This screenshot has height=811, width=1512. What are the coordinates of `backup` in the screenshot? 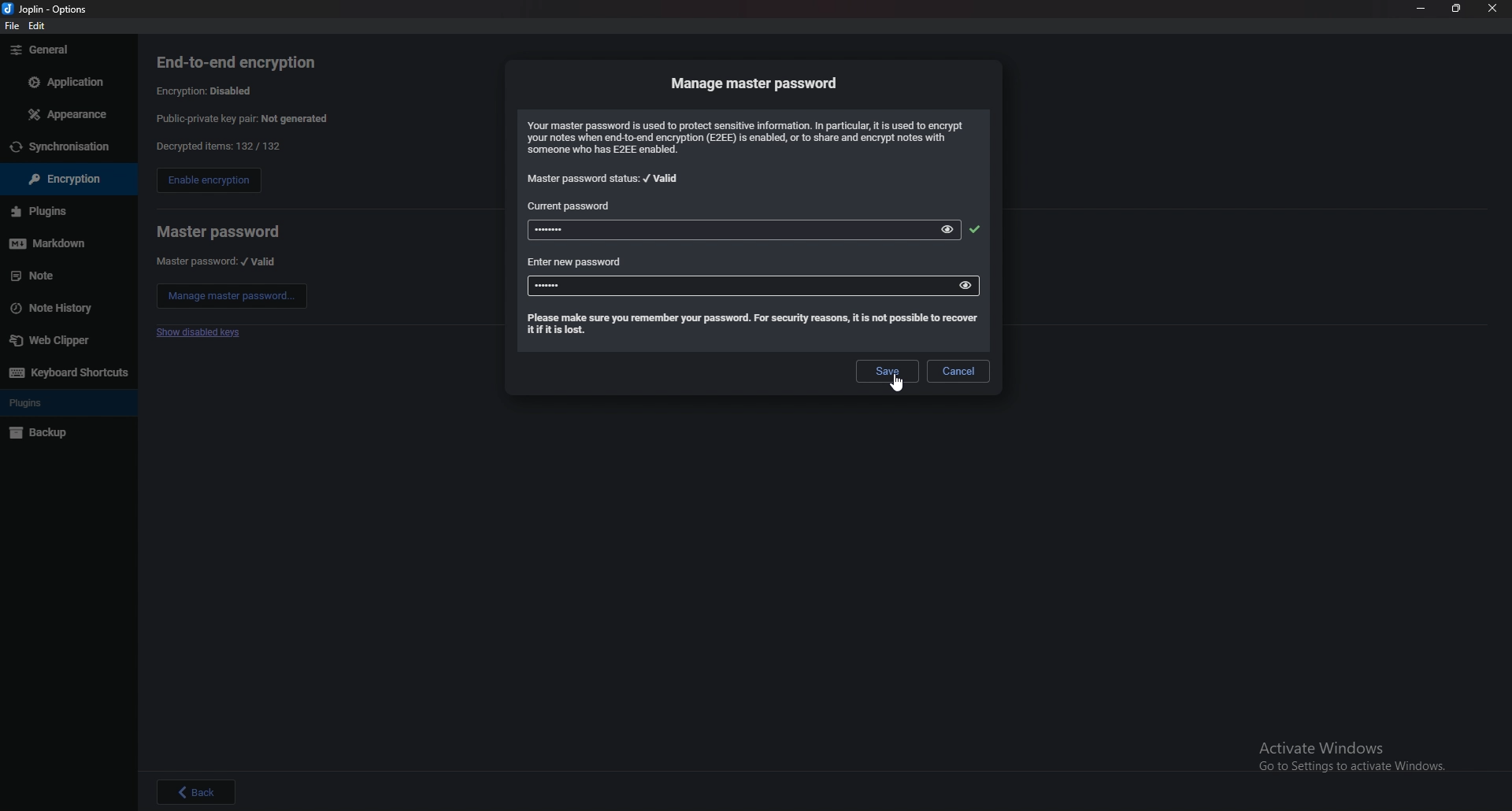 It's located at (61, 434).